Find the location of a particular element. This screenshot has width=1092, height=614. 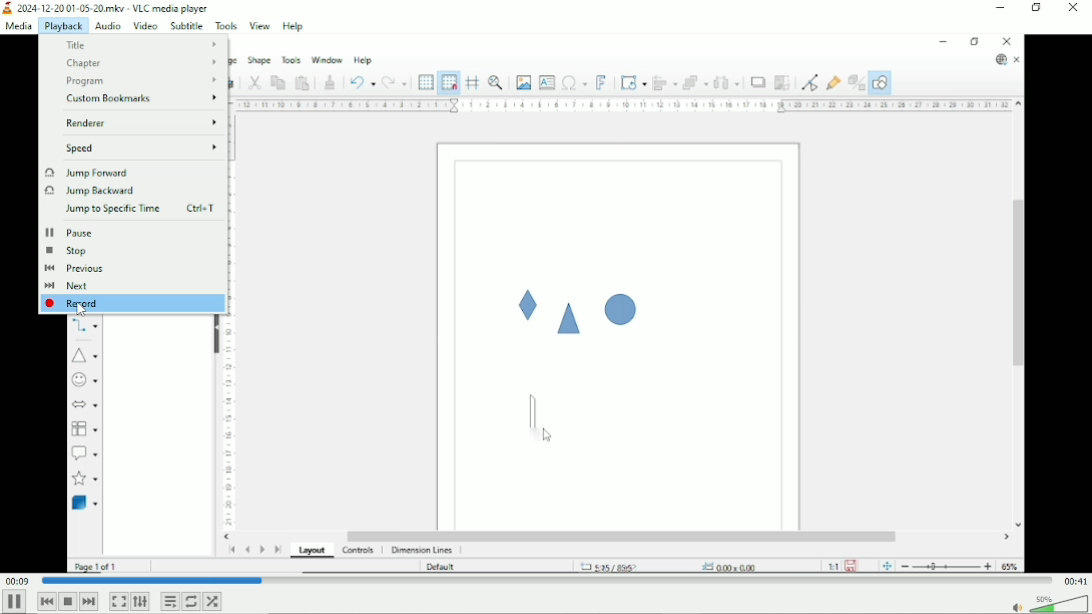

Next is located at coordinates (127, 286).